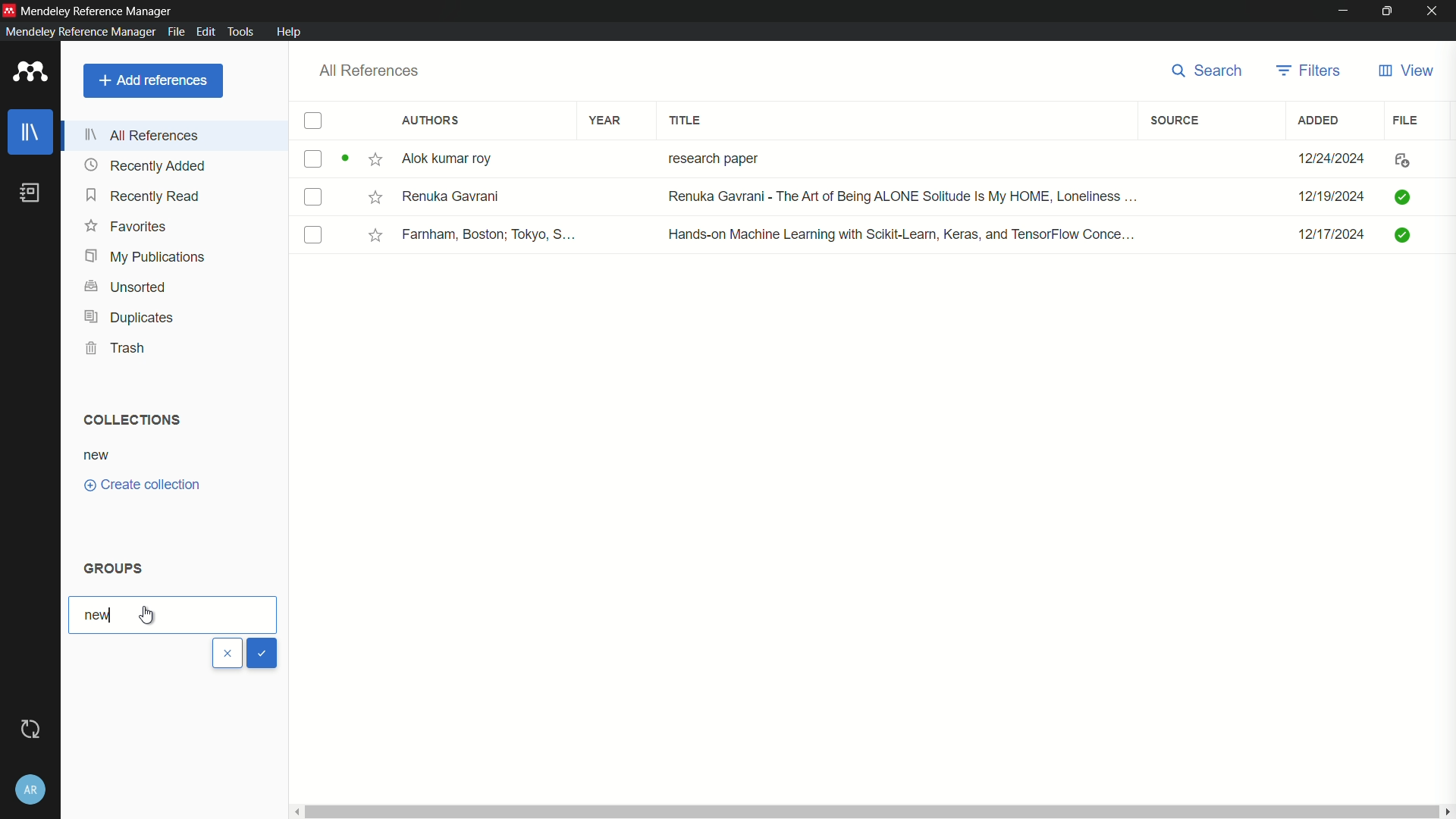 This screenshot has height=819, width=1456. I want to click on source, so click(1174, 121).